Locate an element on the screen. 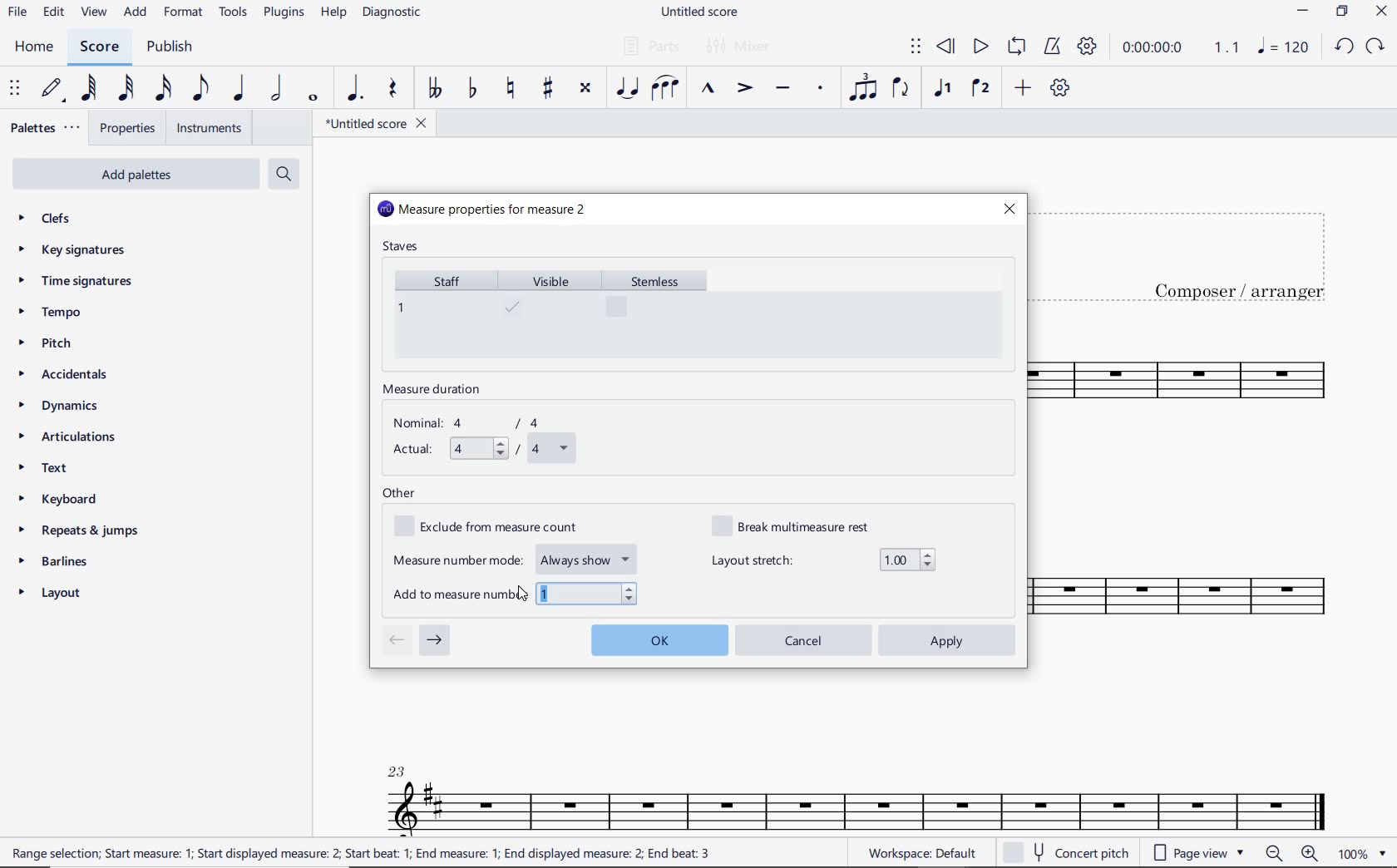 The width and height of the screenshot is (1397, 868). 16TH NOTE is located at coordinates (161, 89).